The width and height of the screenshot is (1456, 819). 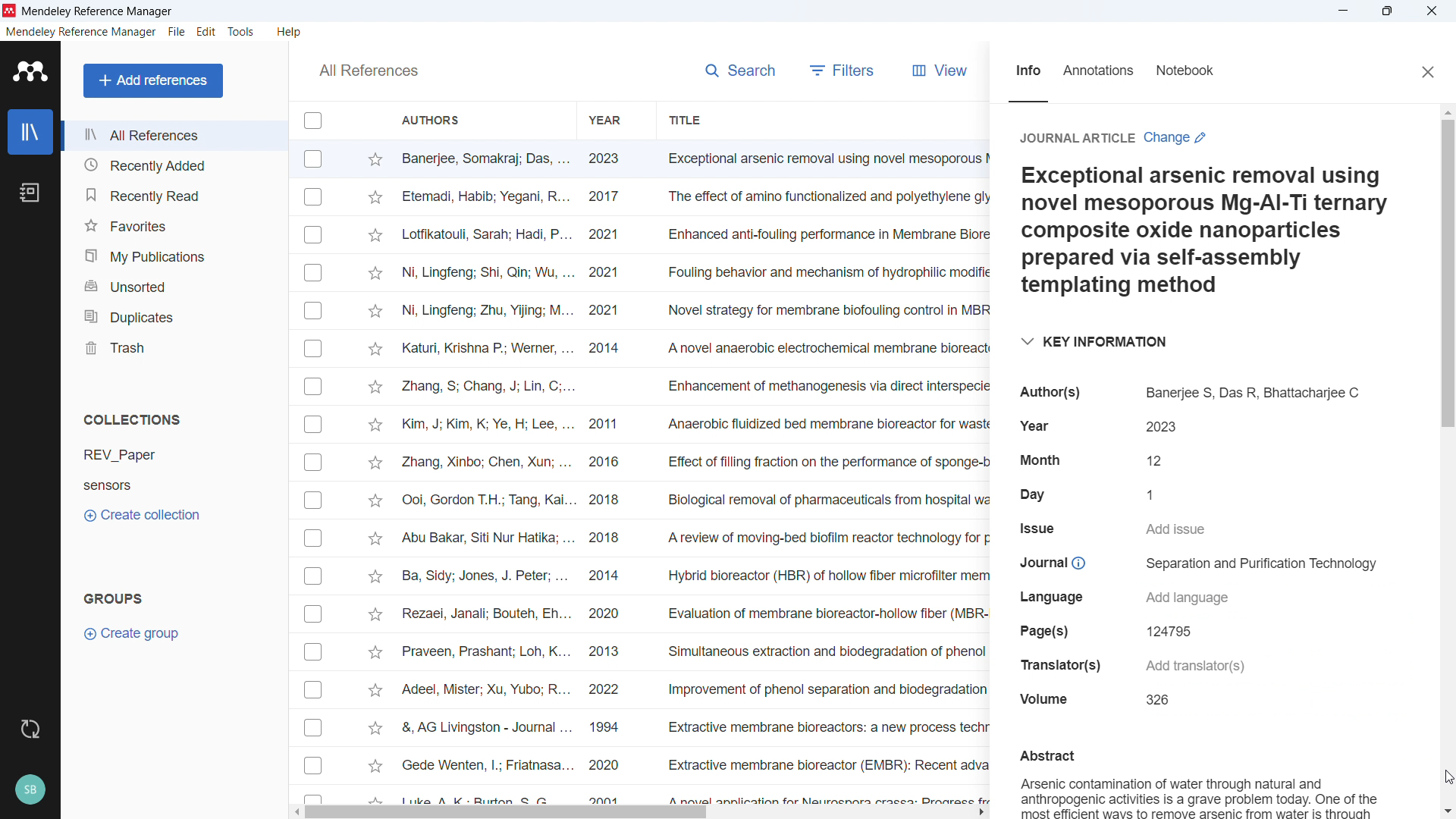 I want to click on click to starmark individuals entries, so click(x=375, y=693).